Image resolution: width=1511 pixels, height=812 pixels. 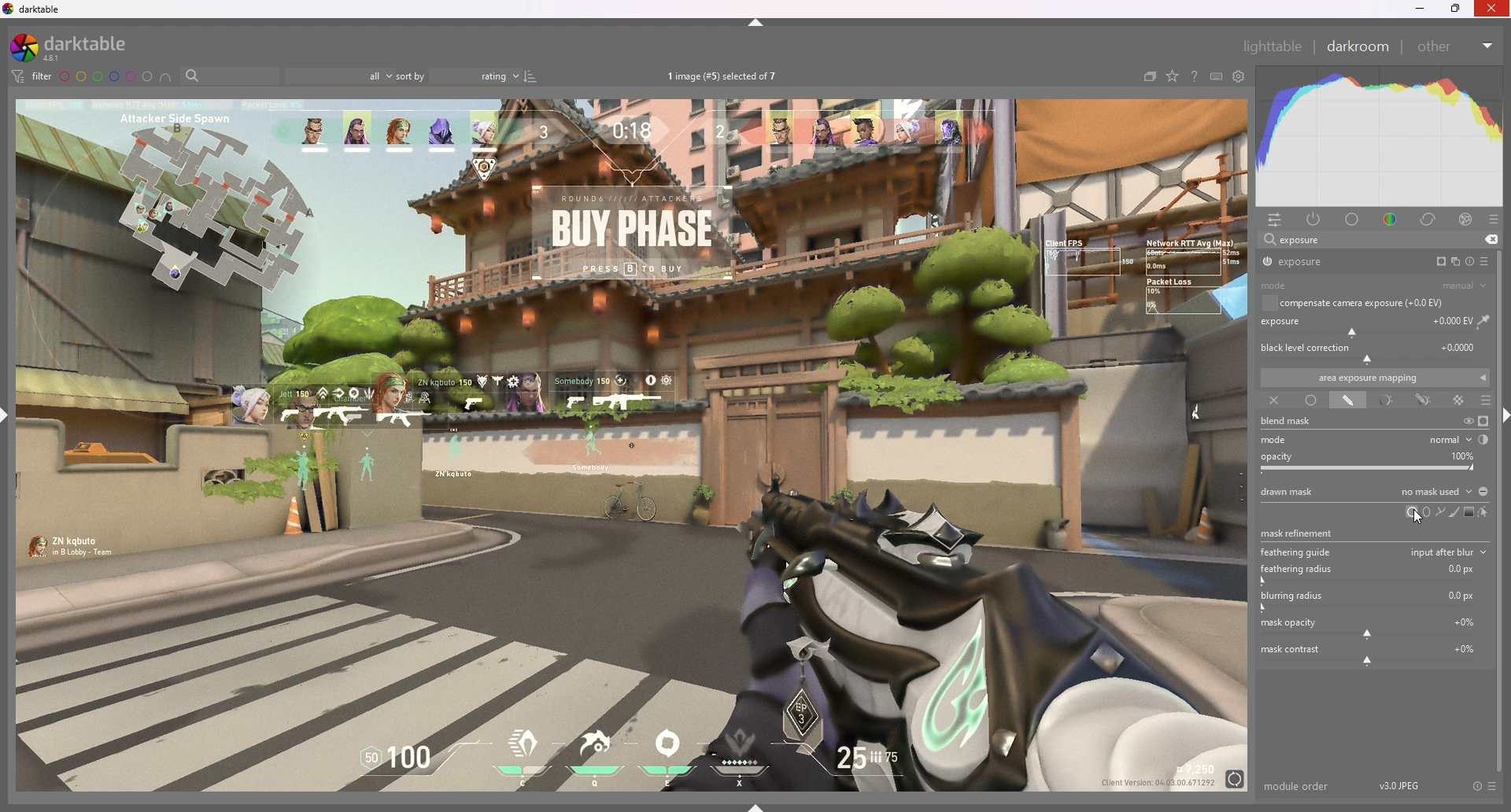 I want to click on circle, so click(x=1409, y=512).